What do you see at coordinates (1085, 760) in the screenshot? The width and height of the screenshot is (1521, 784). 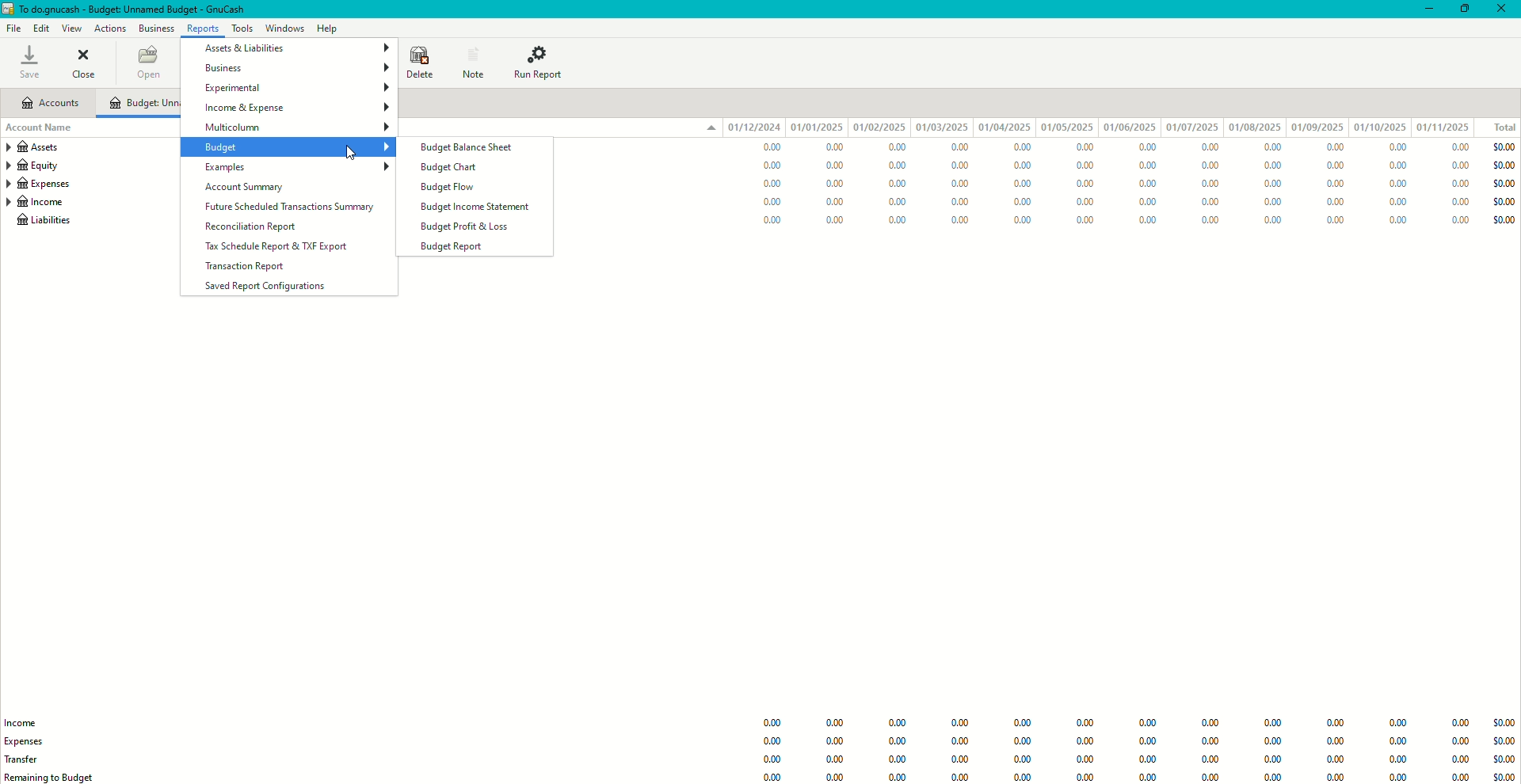 I see `0.00` at bounding box center [1085, 760].